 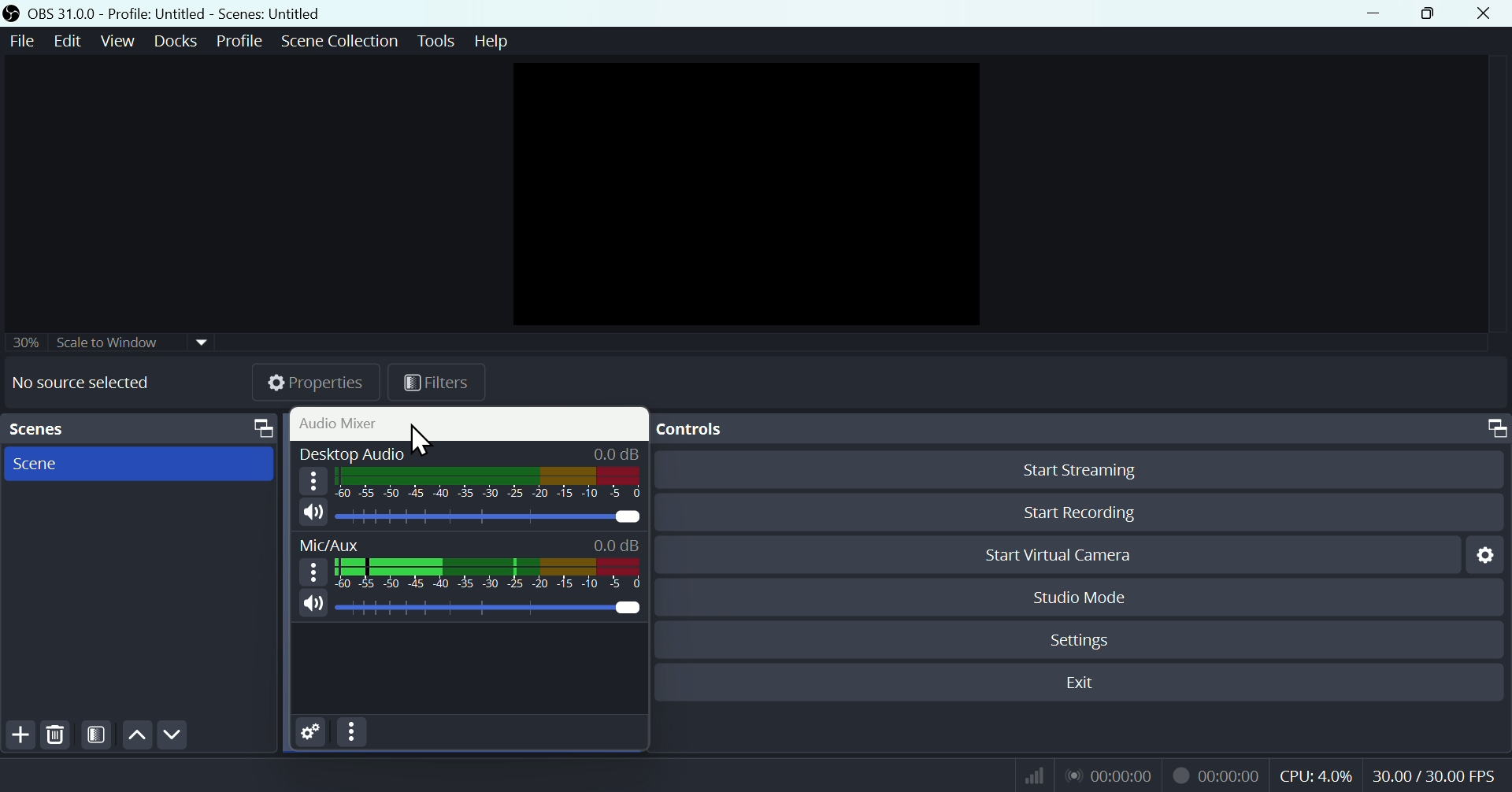 I want to click on Desktop Audio, so click(x=488, y=516).